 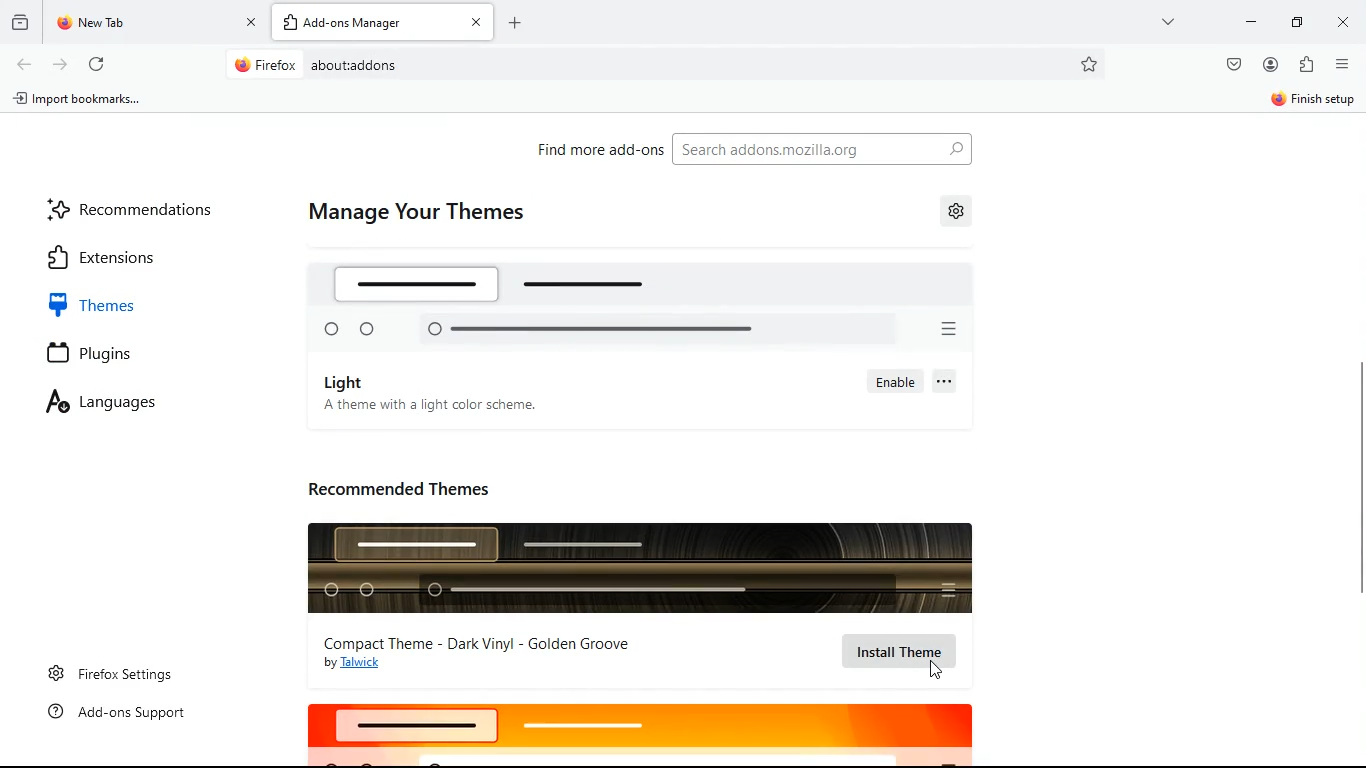 What do you see at coordinates (957, 215) in the screenshot?
I see `settings` at bounding box center [957, 215].